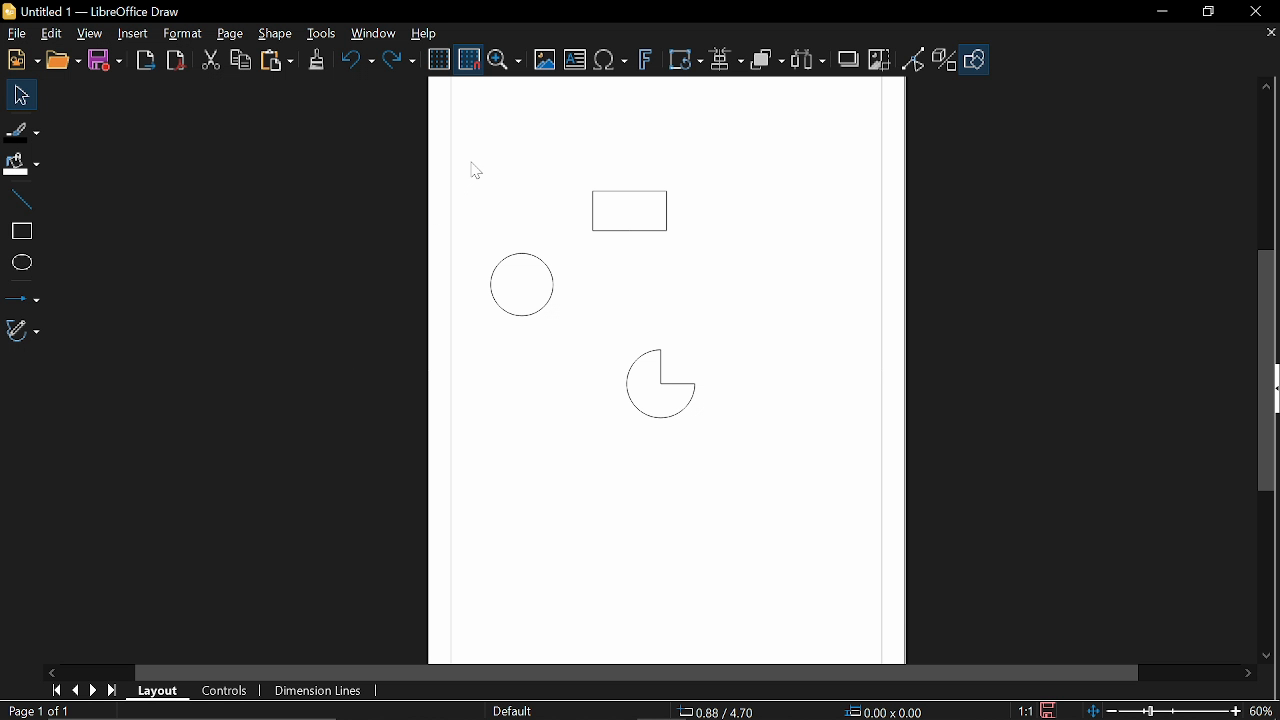 The height and width of the screenshot is (720, 1280). What do you see at coordinates (319, 691) in the screenshot?
I see `Dimension lines` at bounding box center [319, 691].